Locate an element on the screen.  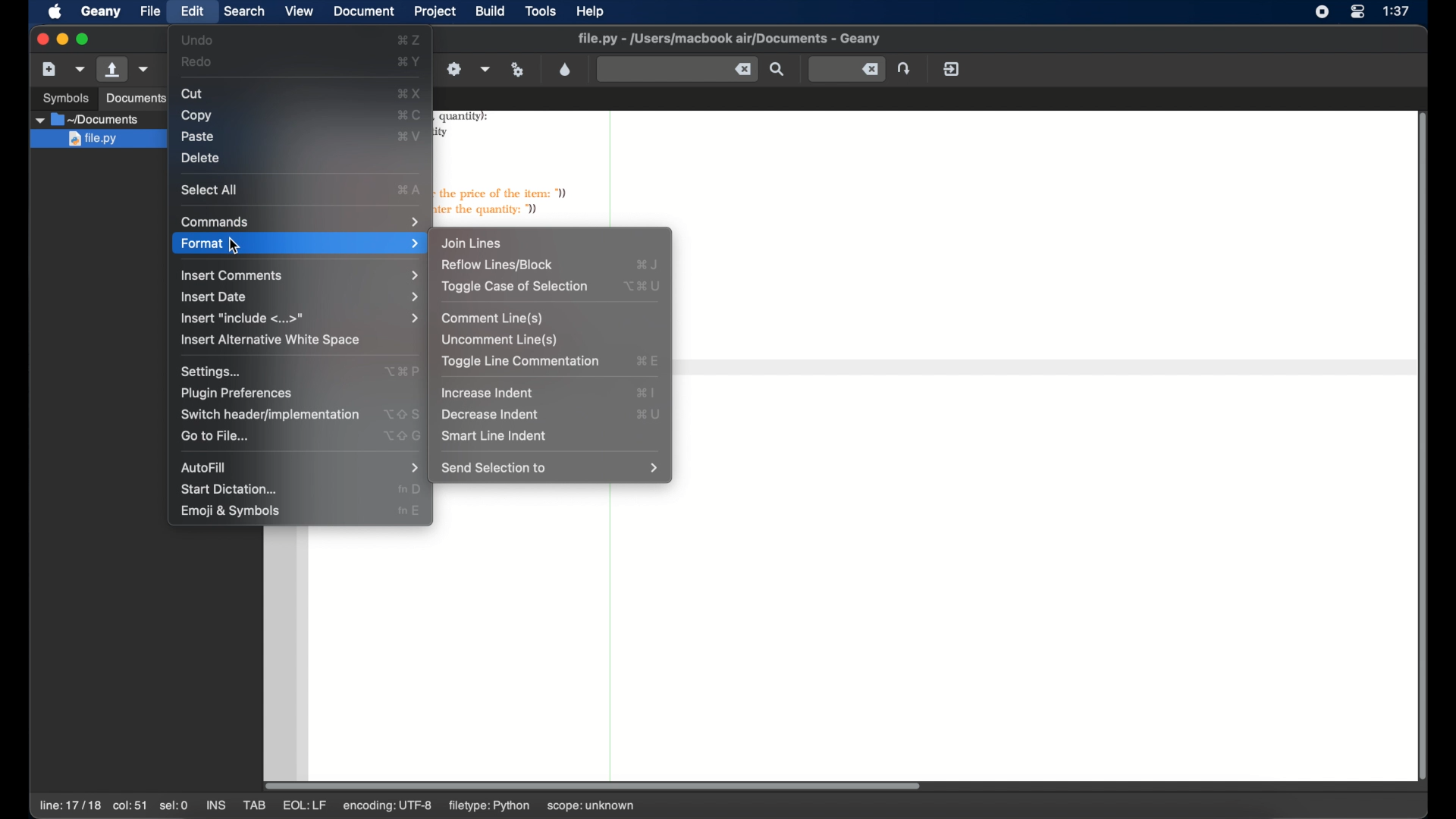
time is located at coordinates (1398, 11).